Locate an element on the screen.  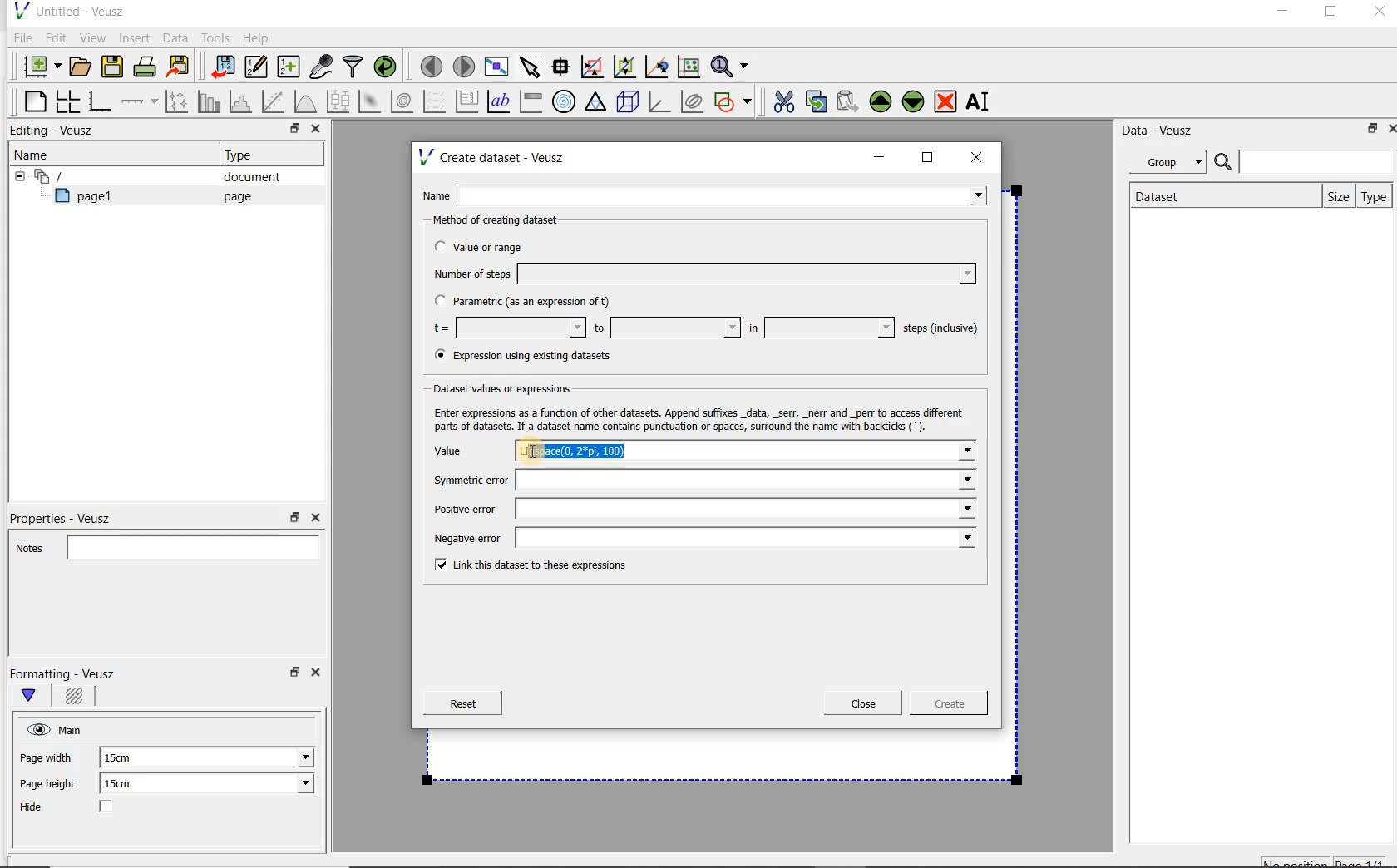
plot a function is located at coordinates (304, 101).